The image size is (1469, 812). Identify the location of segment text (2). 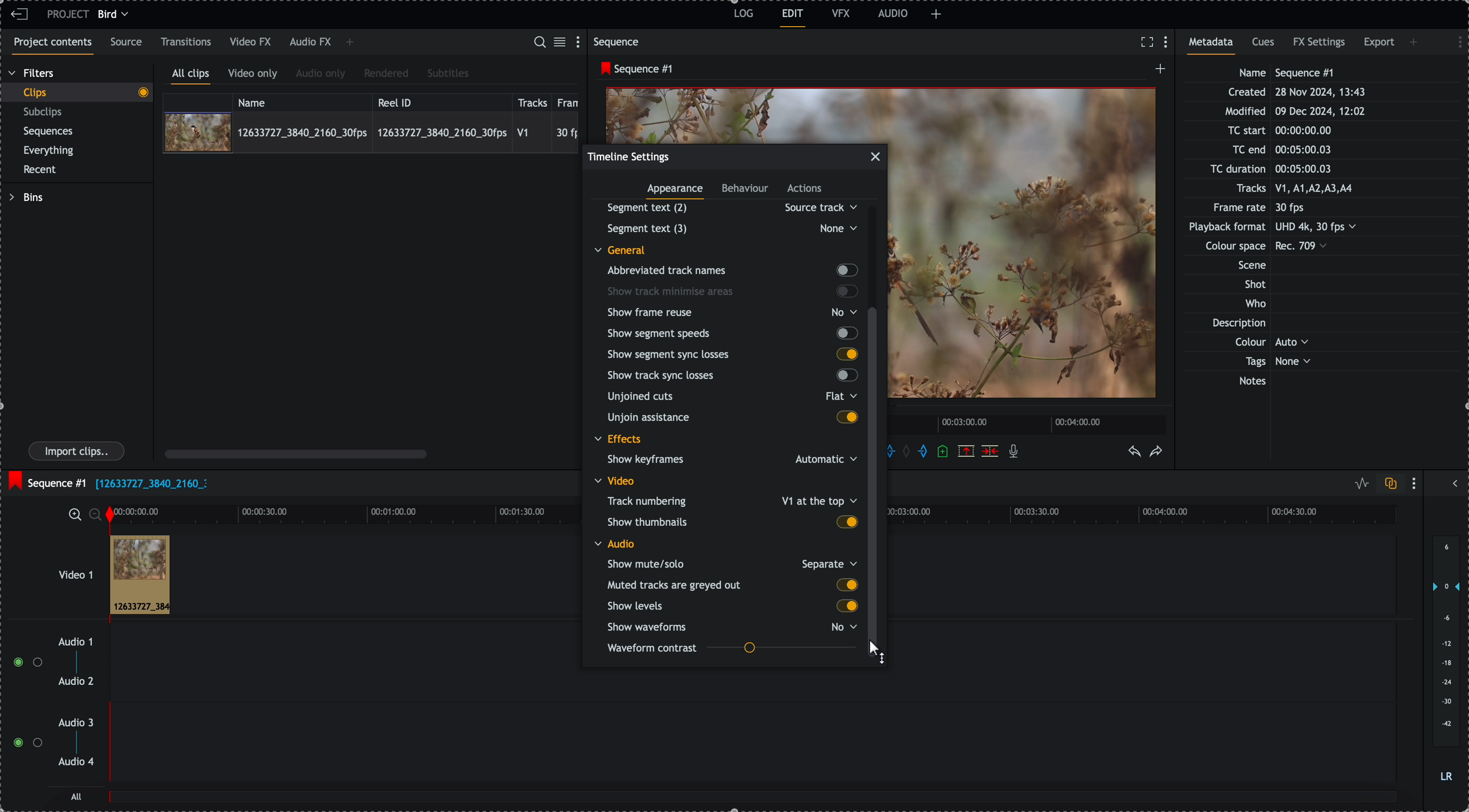
(728, 208).